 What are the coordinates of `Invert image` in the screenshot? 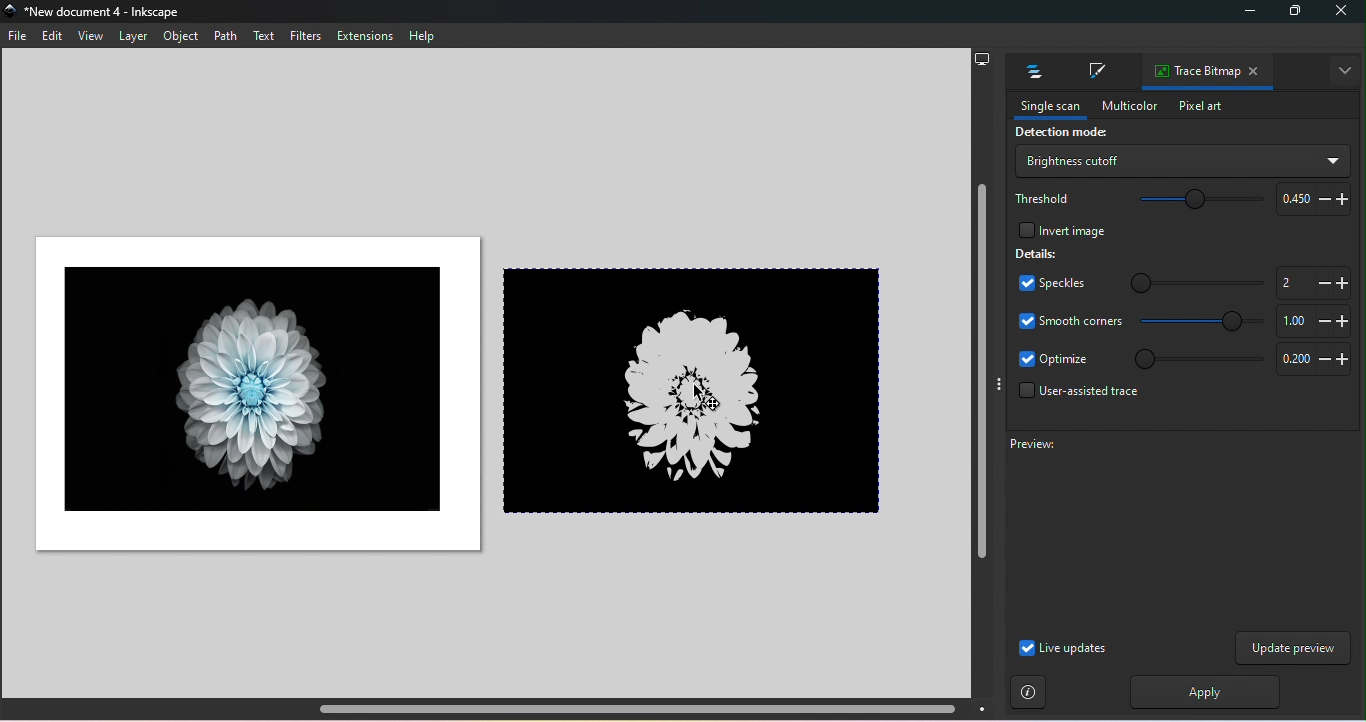 It's located at (1060, 228).